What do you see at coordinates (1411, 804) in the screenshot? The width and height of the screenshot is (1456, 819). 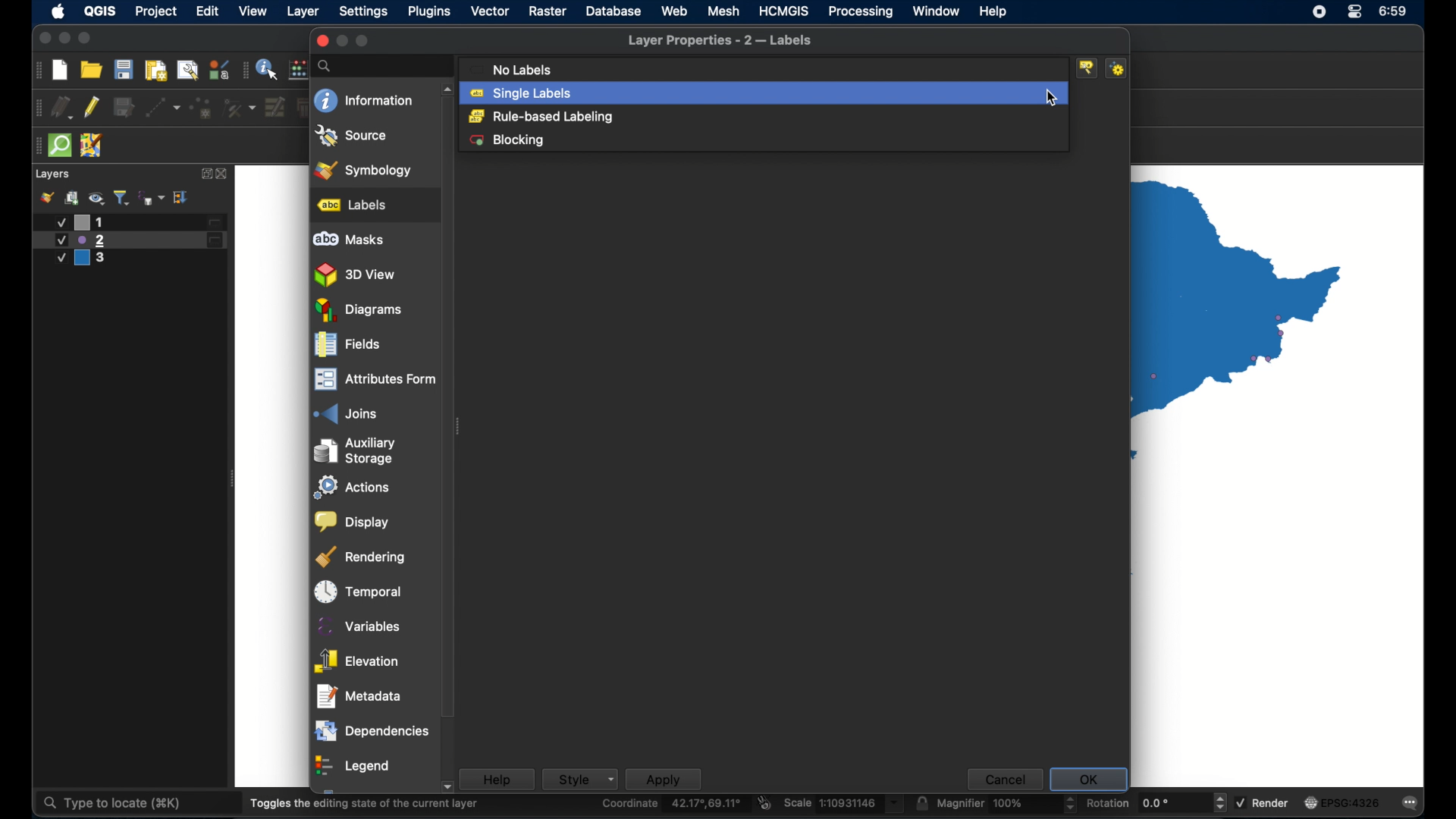 I see `messages` at bounding box center [1411, 804].